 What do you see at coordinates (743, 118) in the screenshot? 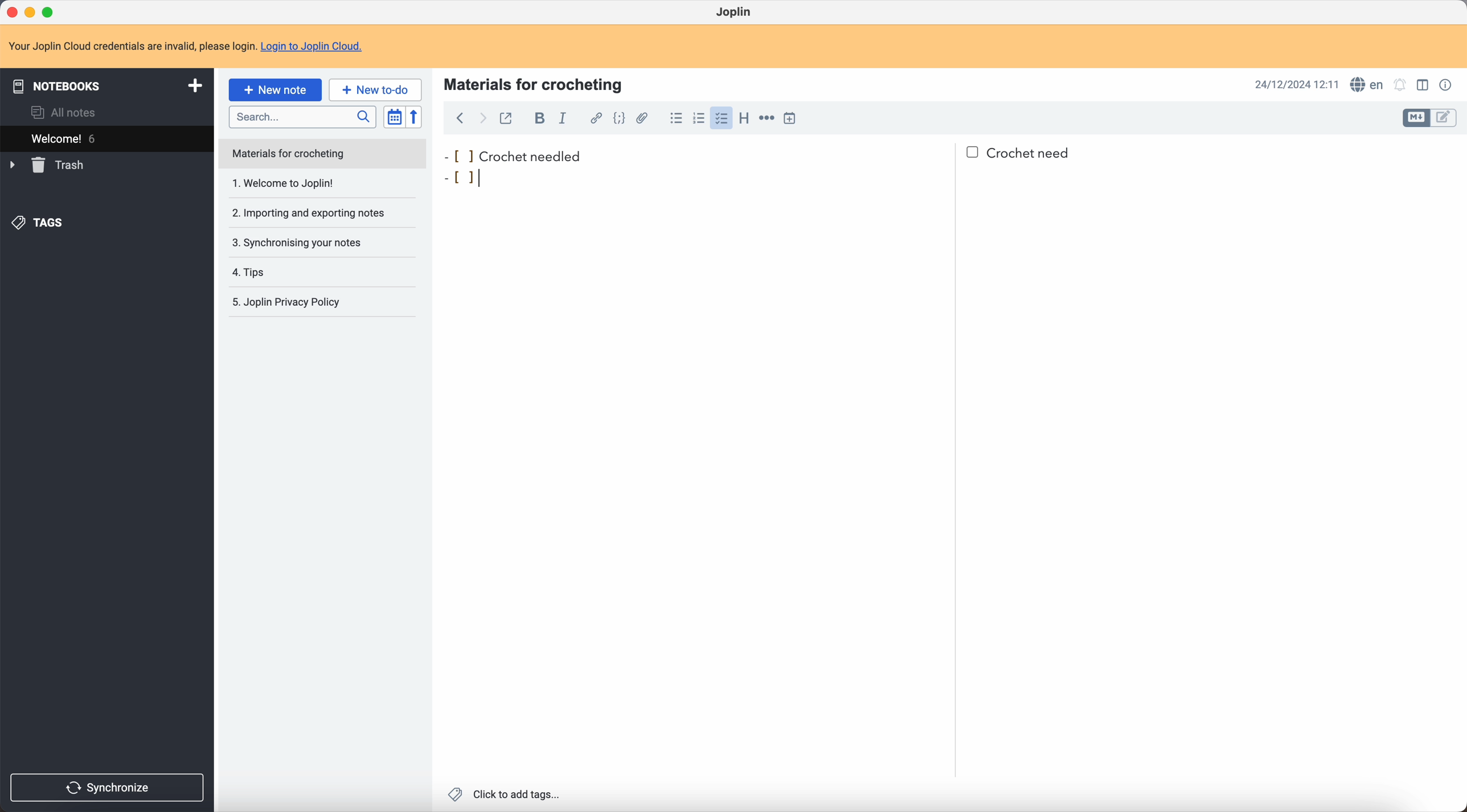
I see `heading` at bounding box center [743, 118].